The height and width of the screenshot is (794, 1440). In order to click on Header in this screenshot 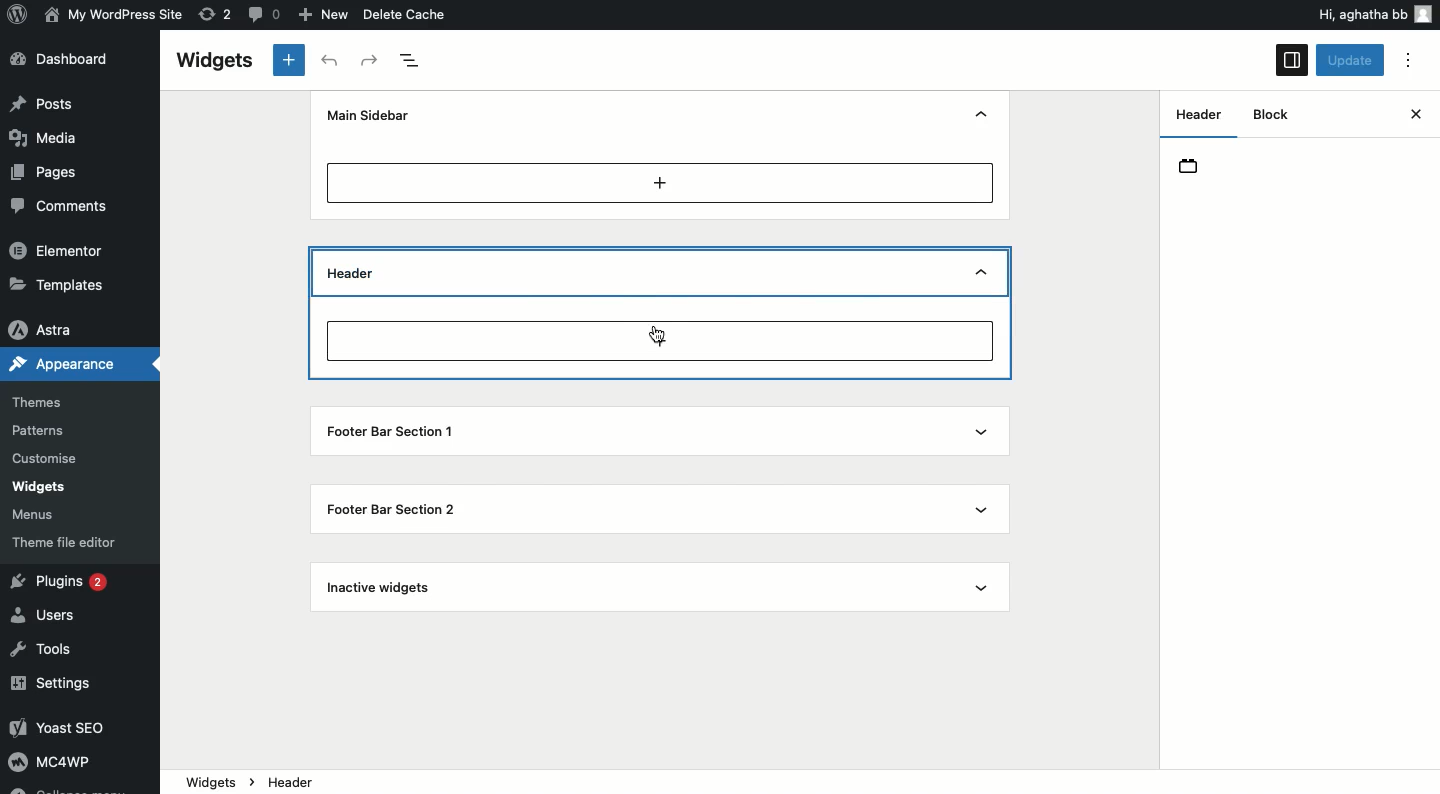, I will do `click(1198, 113)`.